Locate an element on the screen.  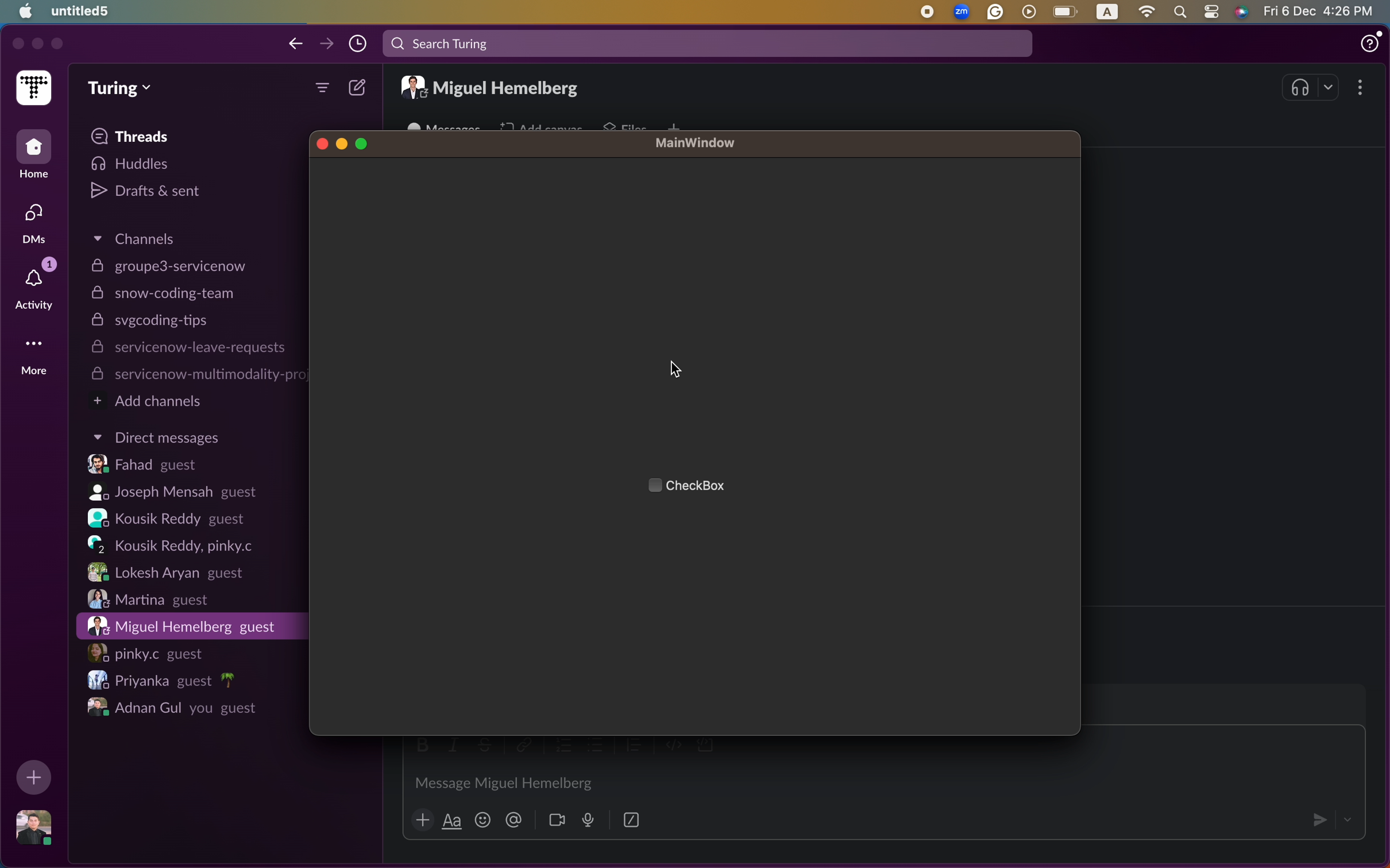
Activity is located at coordinates (33, 285).